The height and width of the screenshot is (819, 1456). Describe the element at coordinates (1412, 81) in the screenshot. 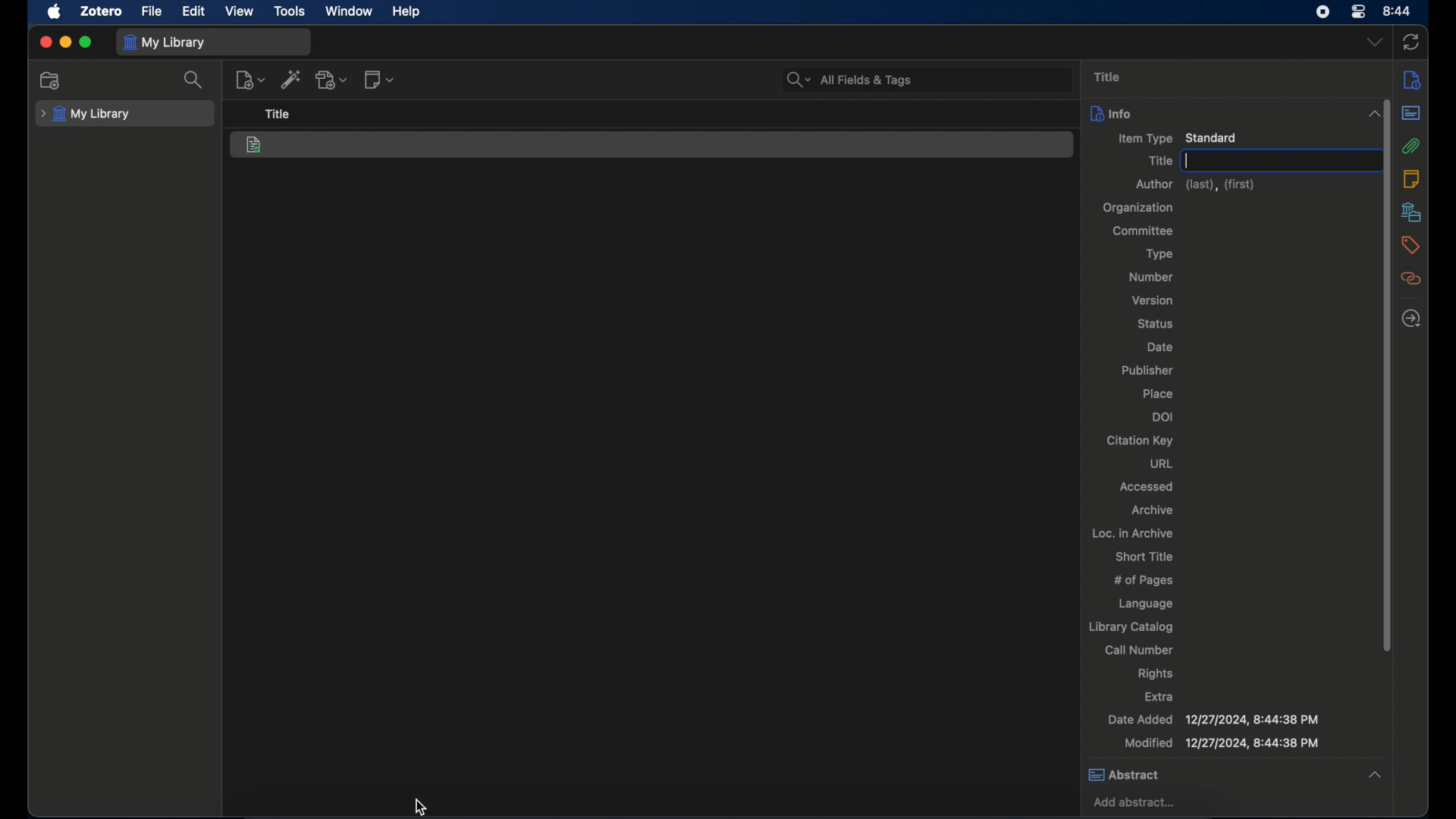

I see `info` at that location.